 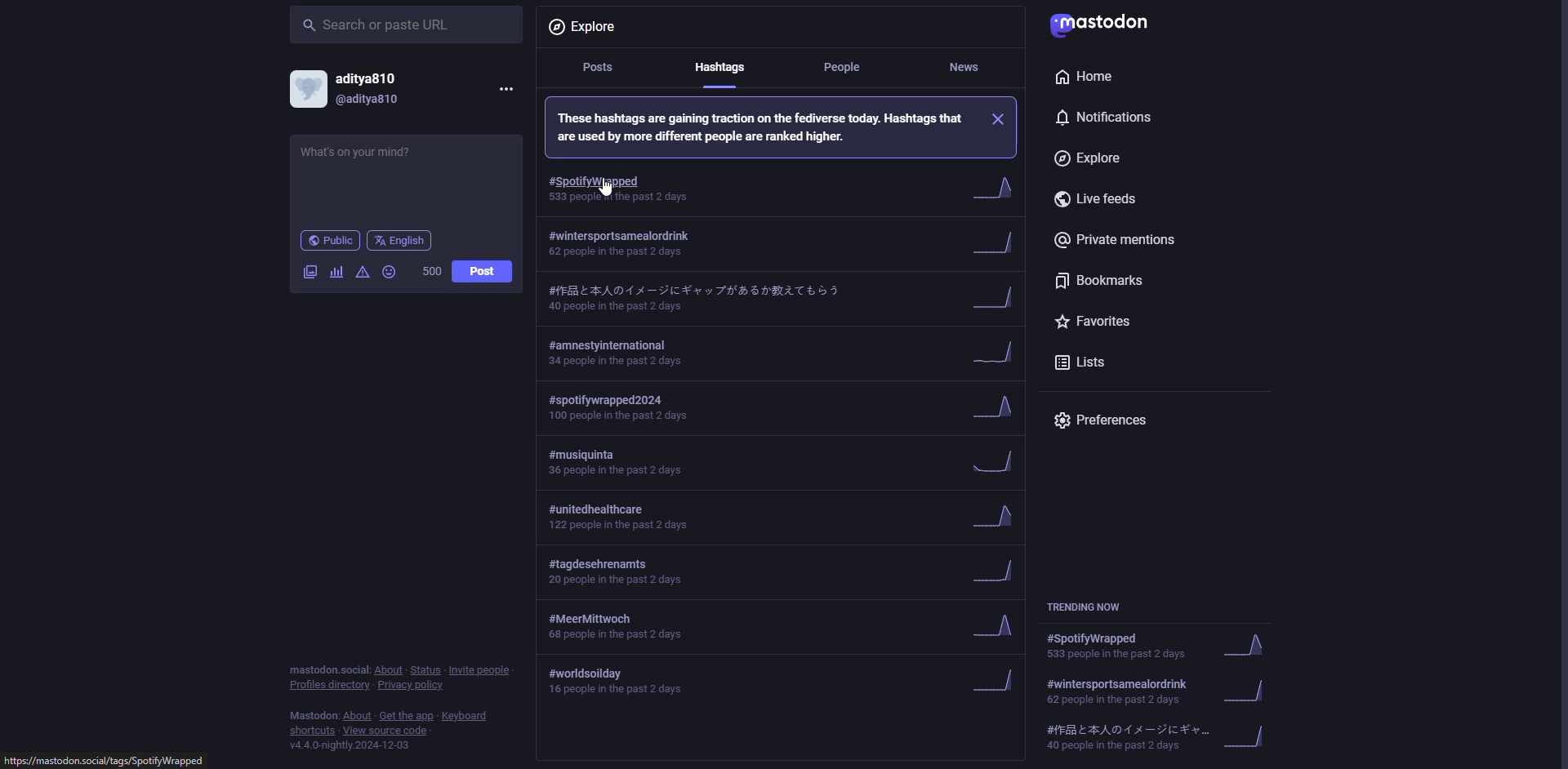 I want to click on trending , so click(x=1152, y=736).